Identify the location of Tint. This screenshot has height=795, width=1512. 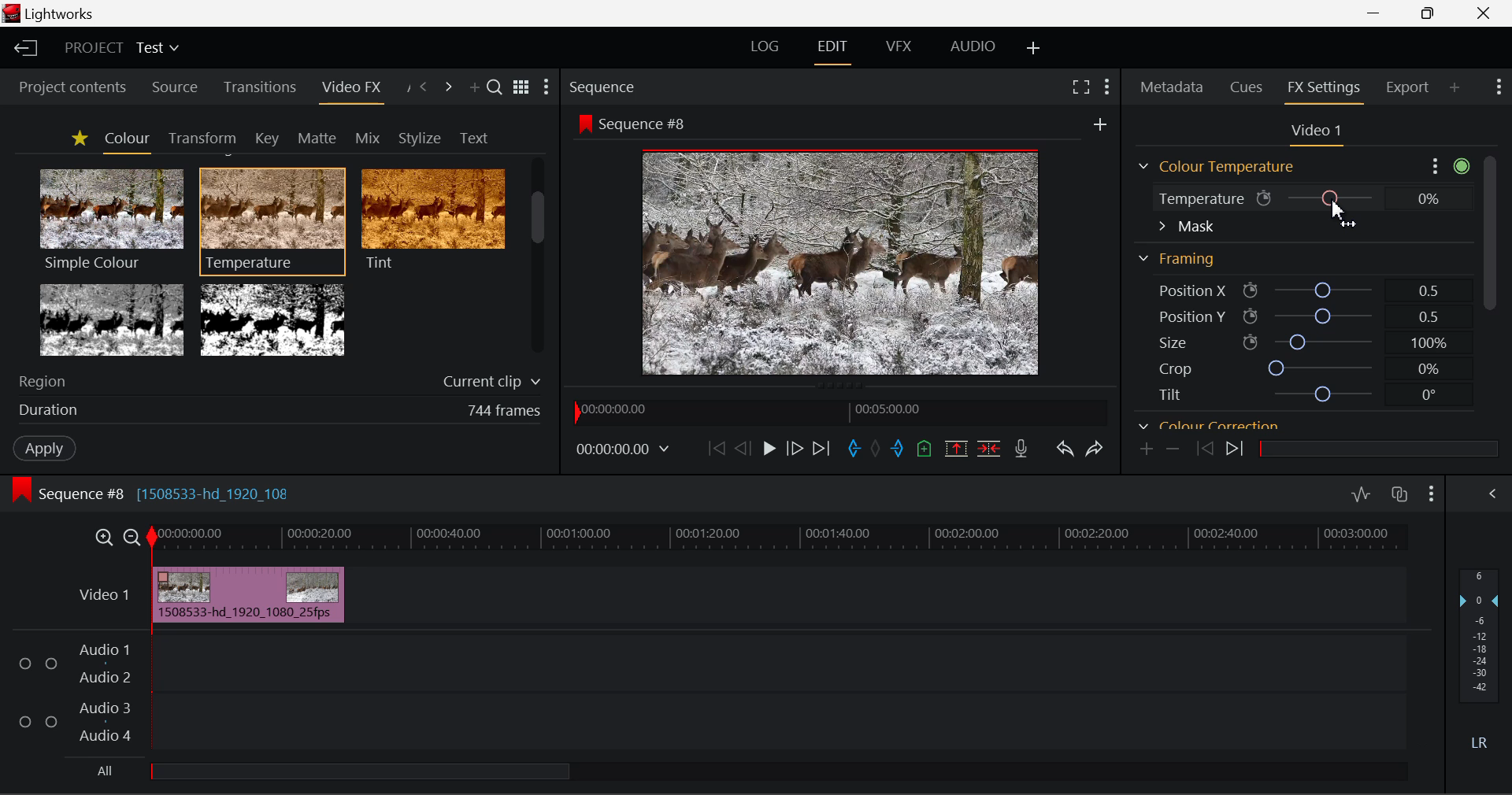
(432, 219).